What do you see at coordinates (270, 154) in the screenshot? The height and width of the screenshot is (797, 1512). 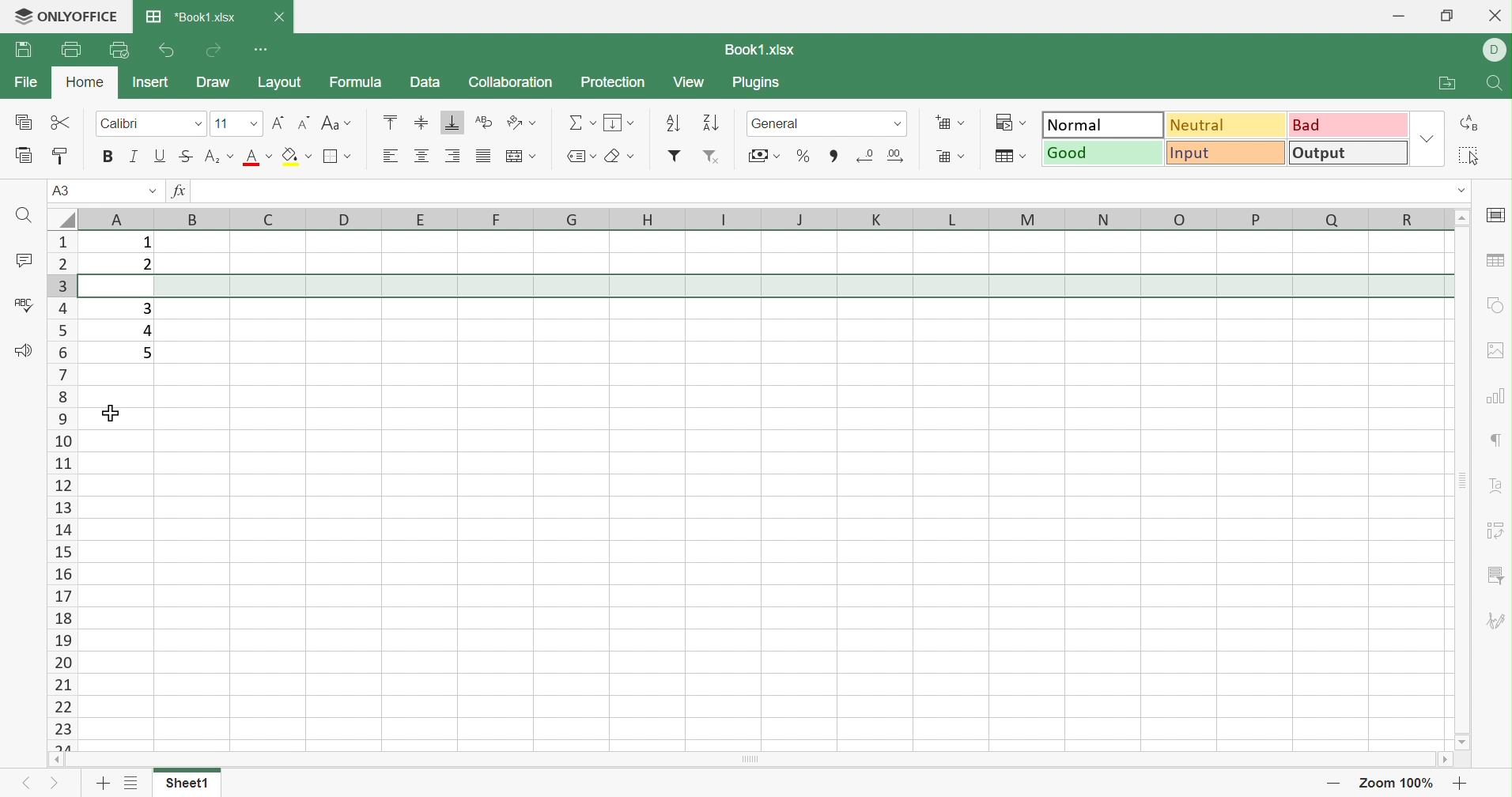 I see `Drop Down` at bounding box center [270, 154].